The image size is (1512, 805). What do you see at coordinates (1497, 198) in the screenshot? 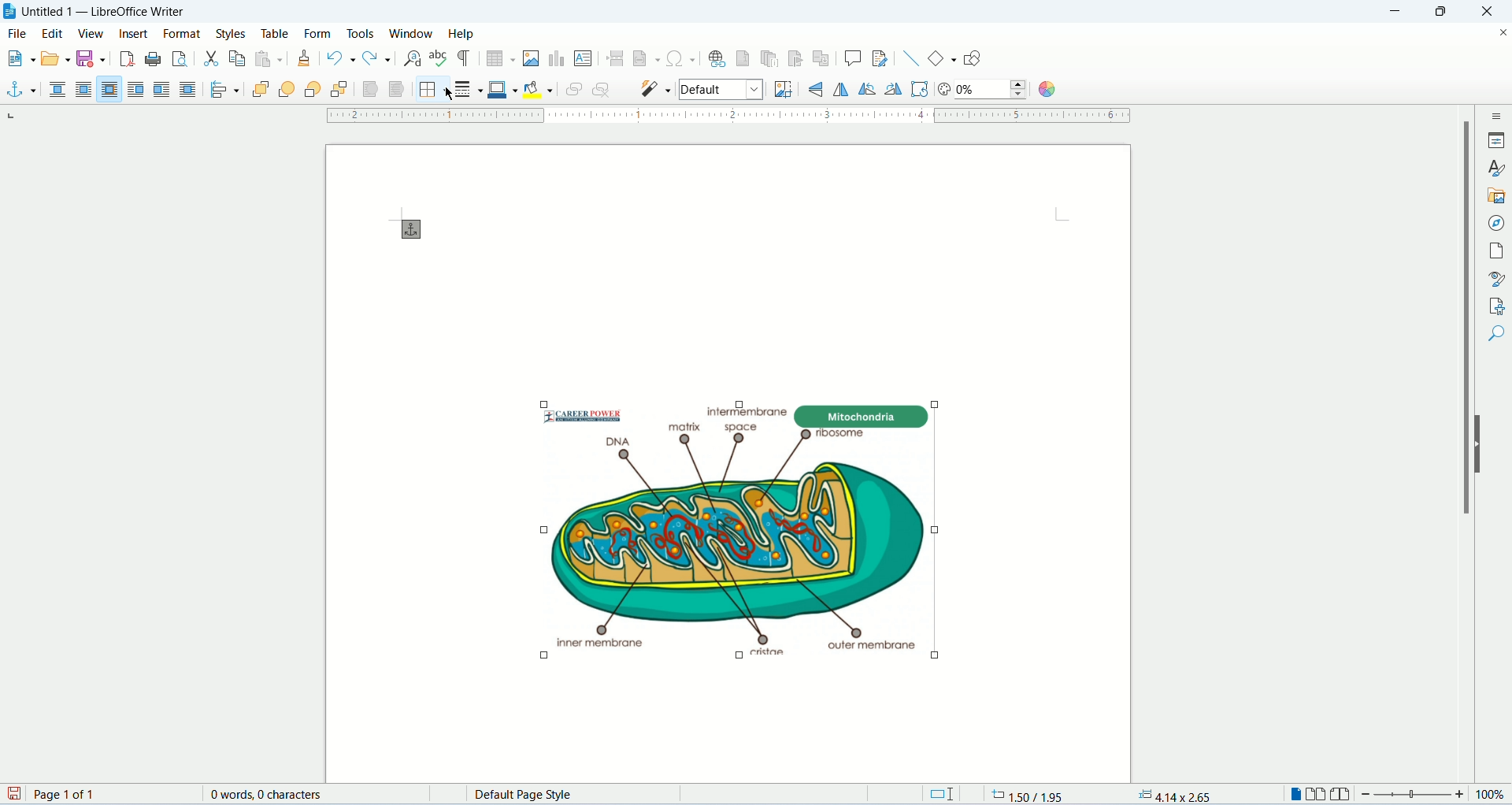
I see `gallery` at bounding box center [1497, 198].